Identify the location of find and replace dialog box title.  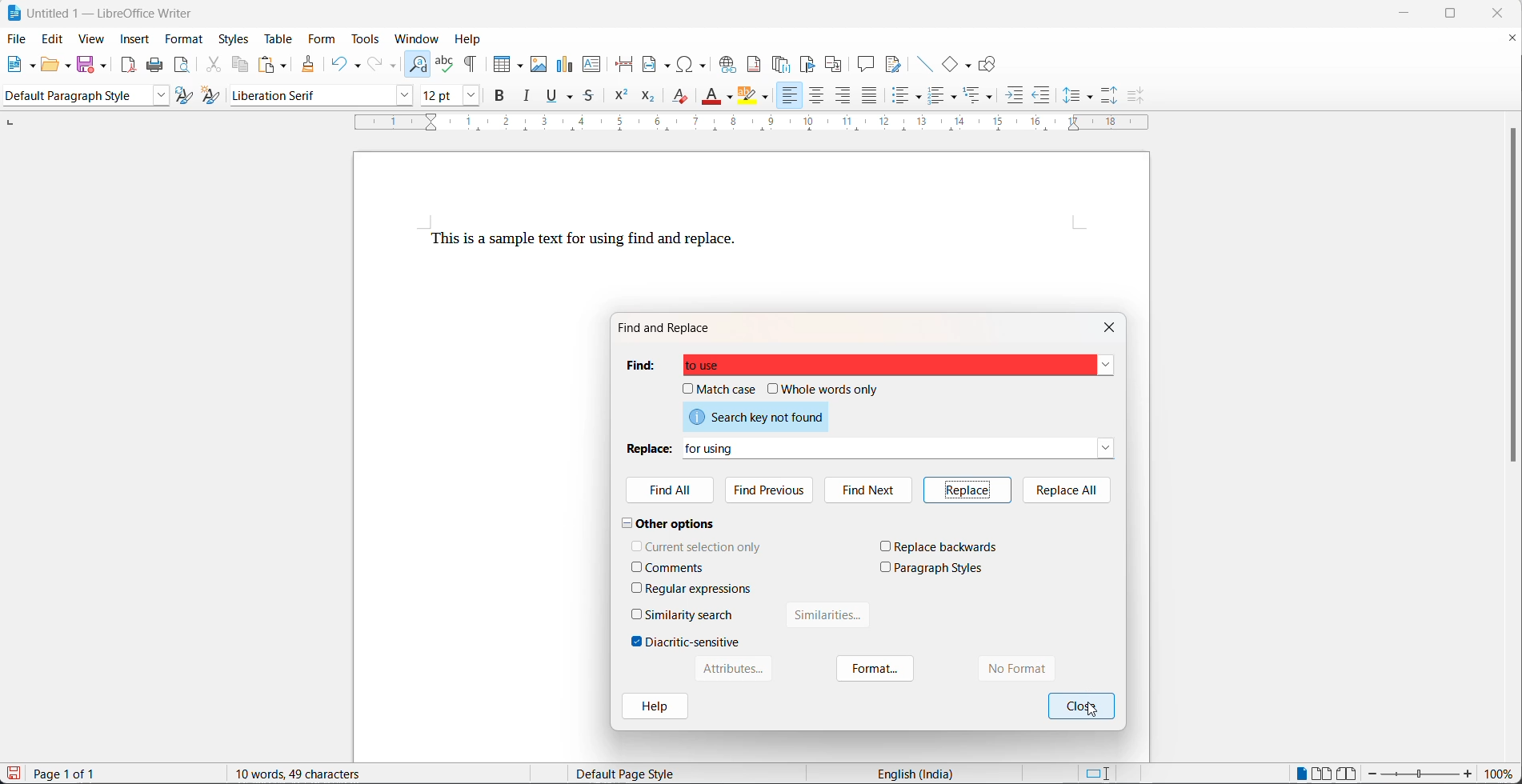
(673, 328).